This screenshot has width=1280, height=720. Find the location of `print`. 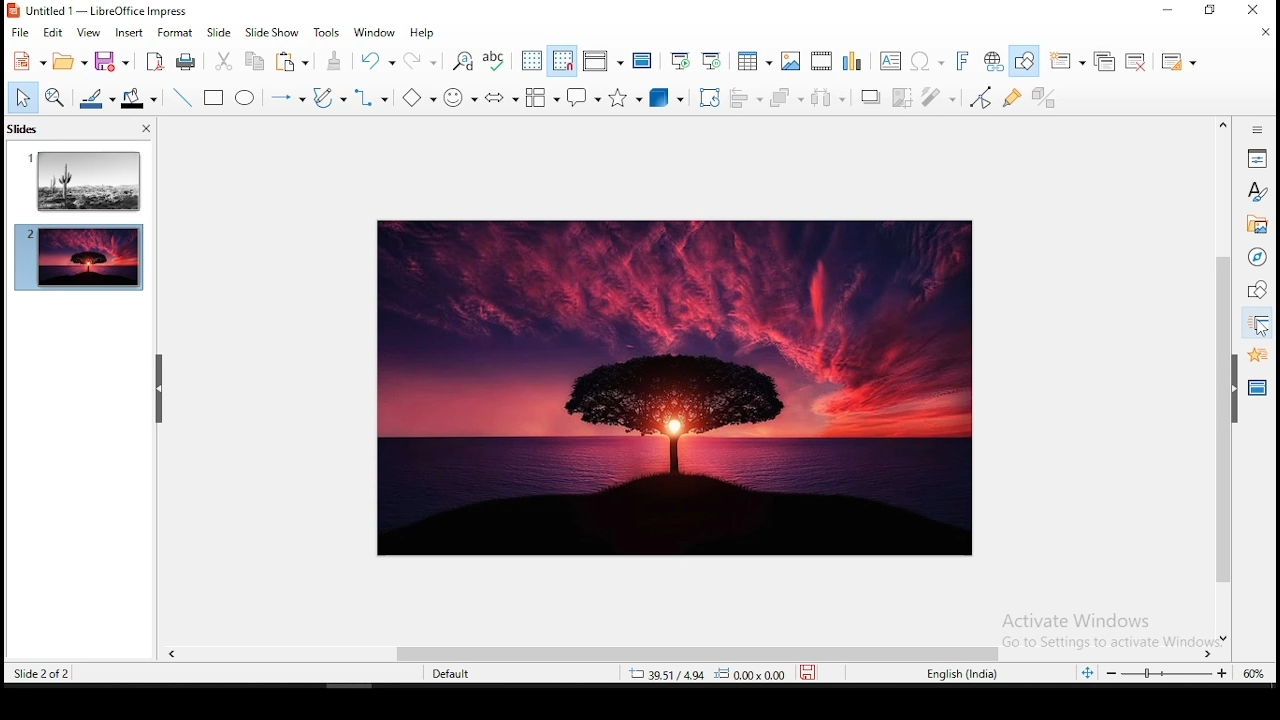

print is located at coordinates (187, 61).